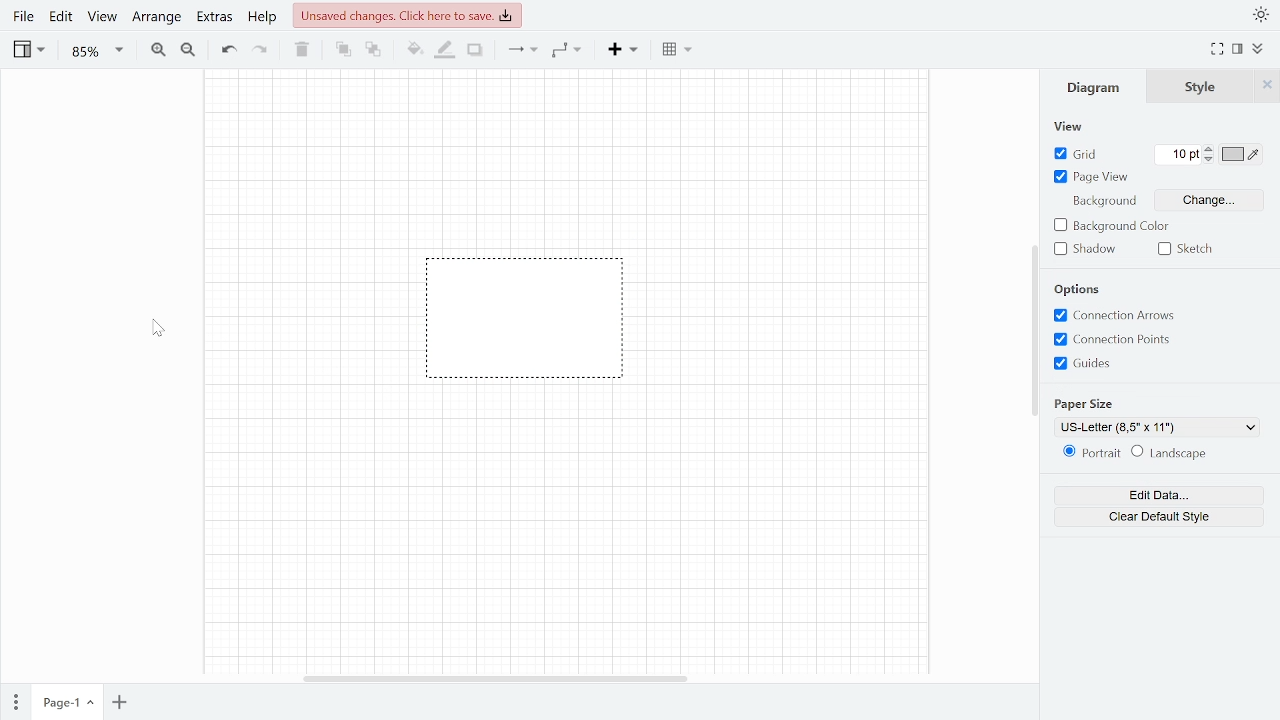 The image size is (1280, 720). I want to click on Close, so click(1267, 84).